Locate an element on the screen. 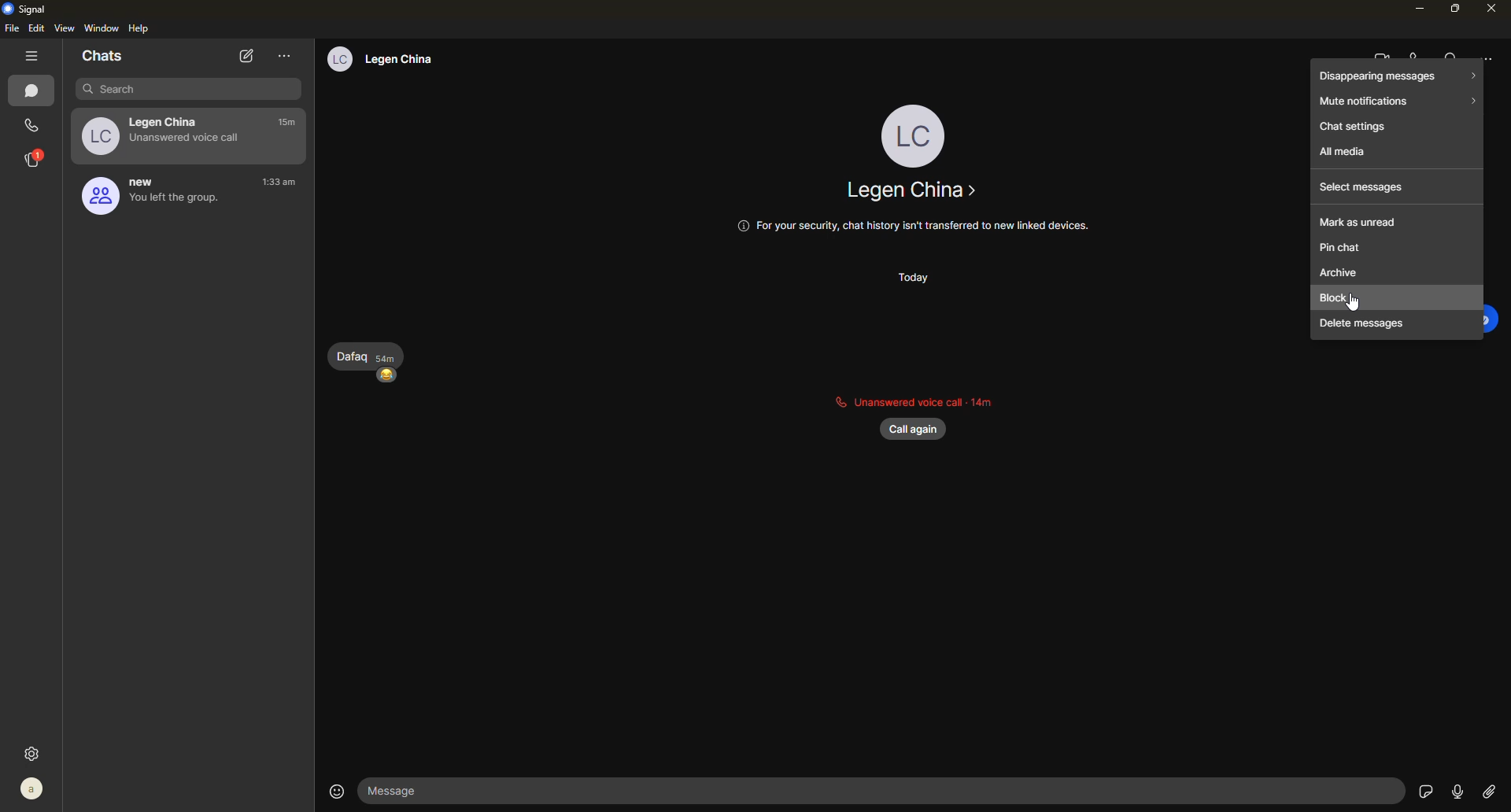  pin chat is located at coordinates (1336, 248).